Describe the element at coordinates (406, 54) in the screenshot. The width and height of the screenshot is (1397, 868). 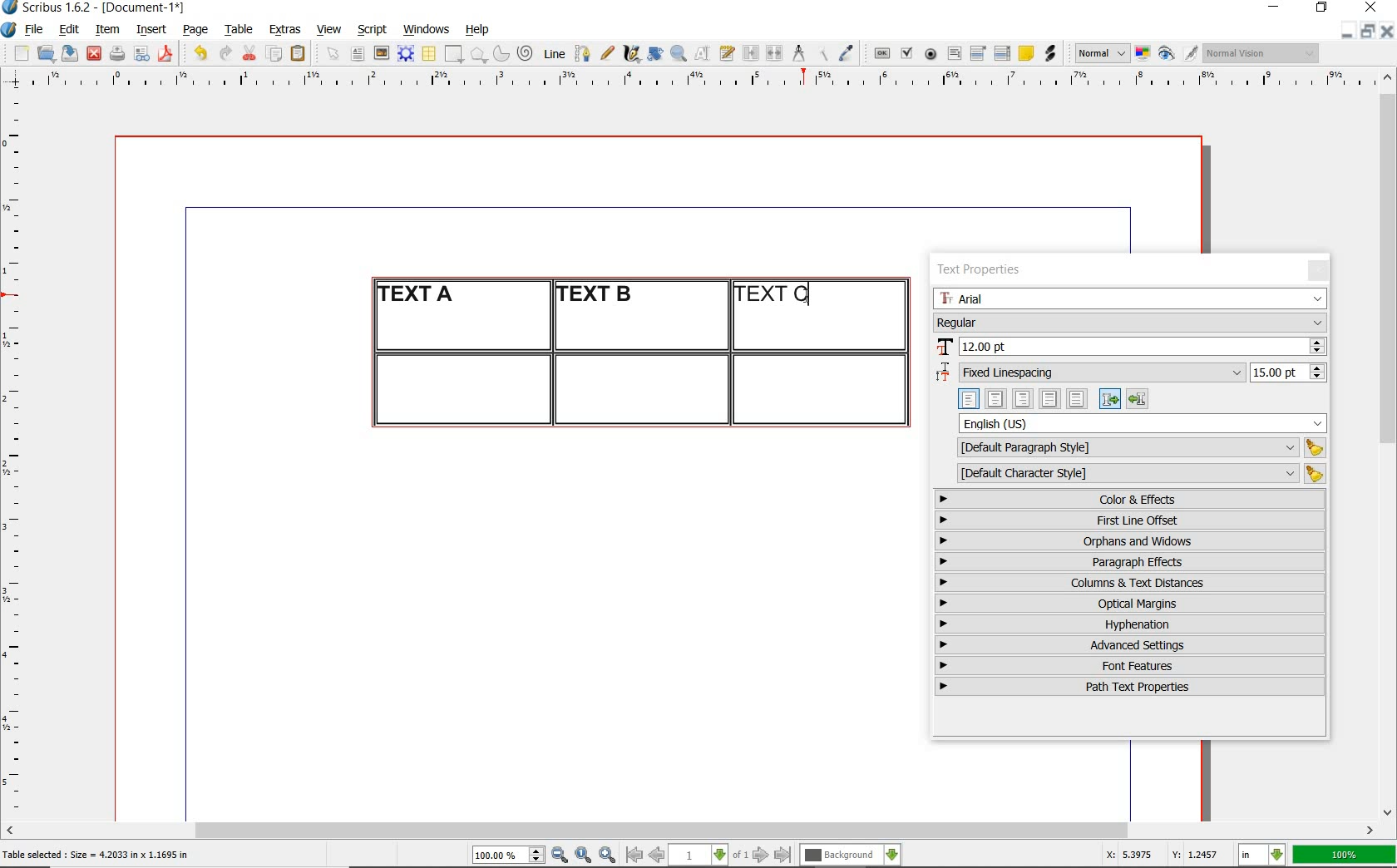
I see `render frame` at that location.